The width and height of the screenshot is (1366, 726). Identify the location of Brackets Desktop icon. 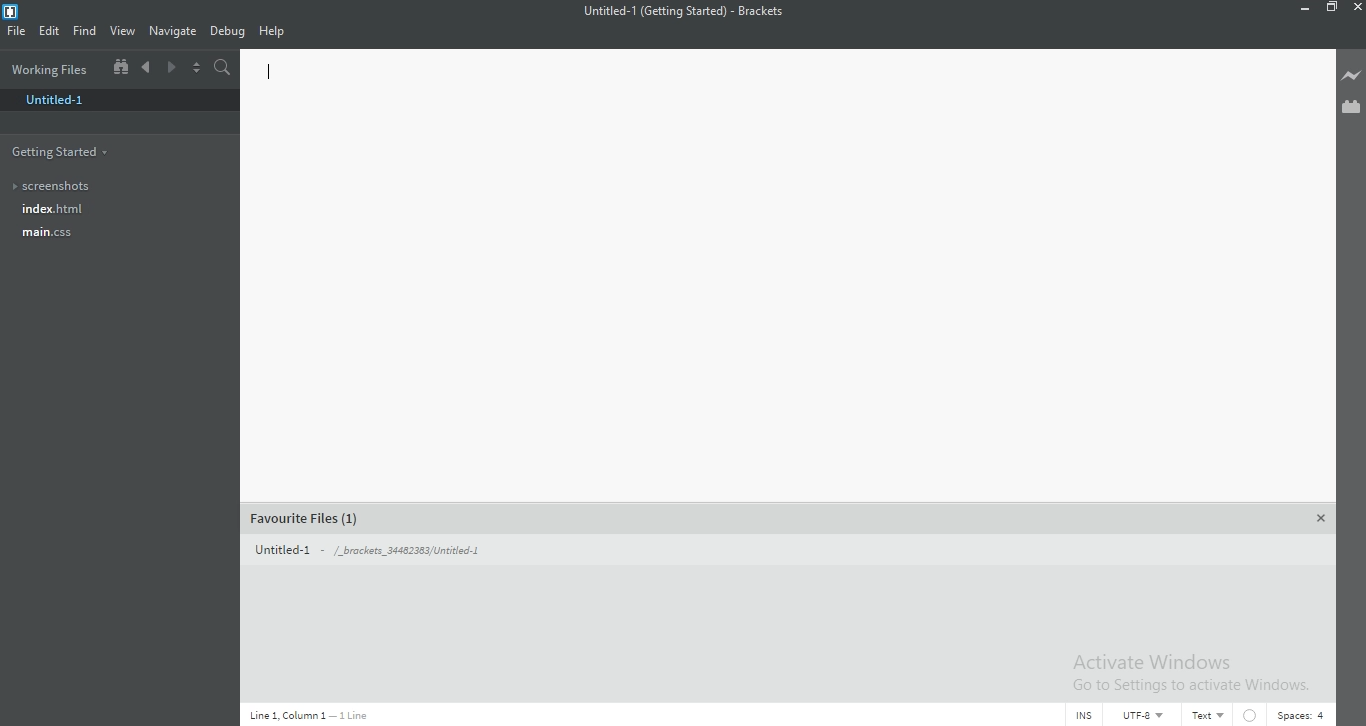
(12, 12).